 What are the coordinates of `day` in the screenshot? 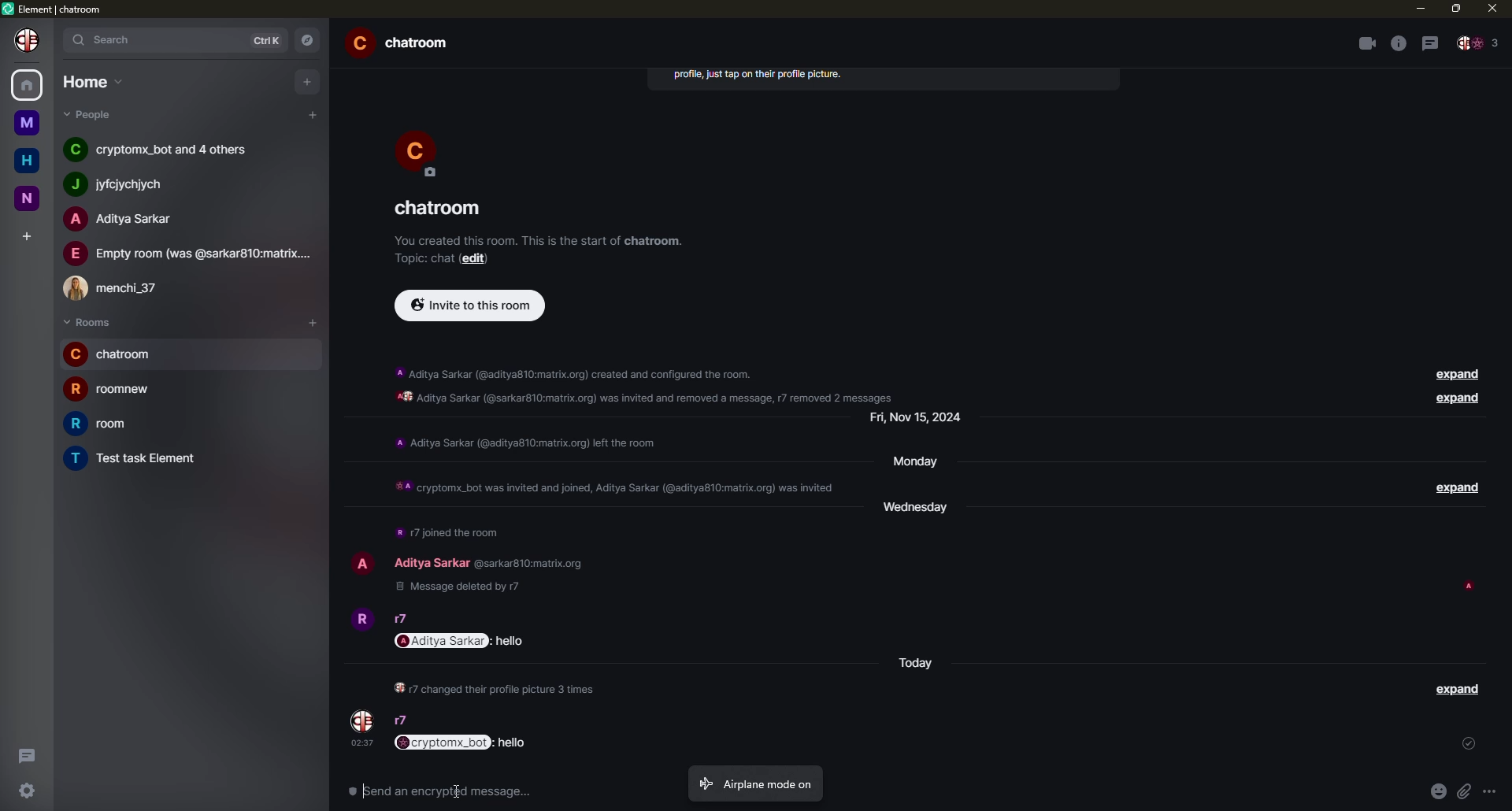 It's located at (914, 664).